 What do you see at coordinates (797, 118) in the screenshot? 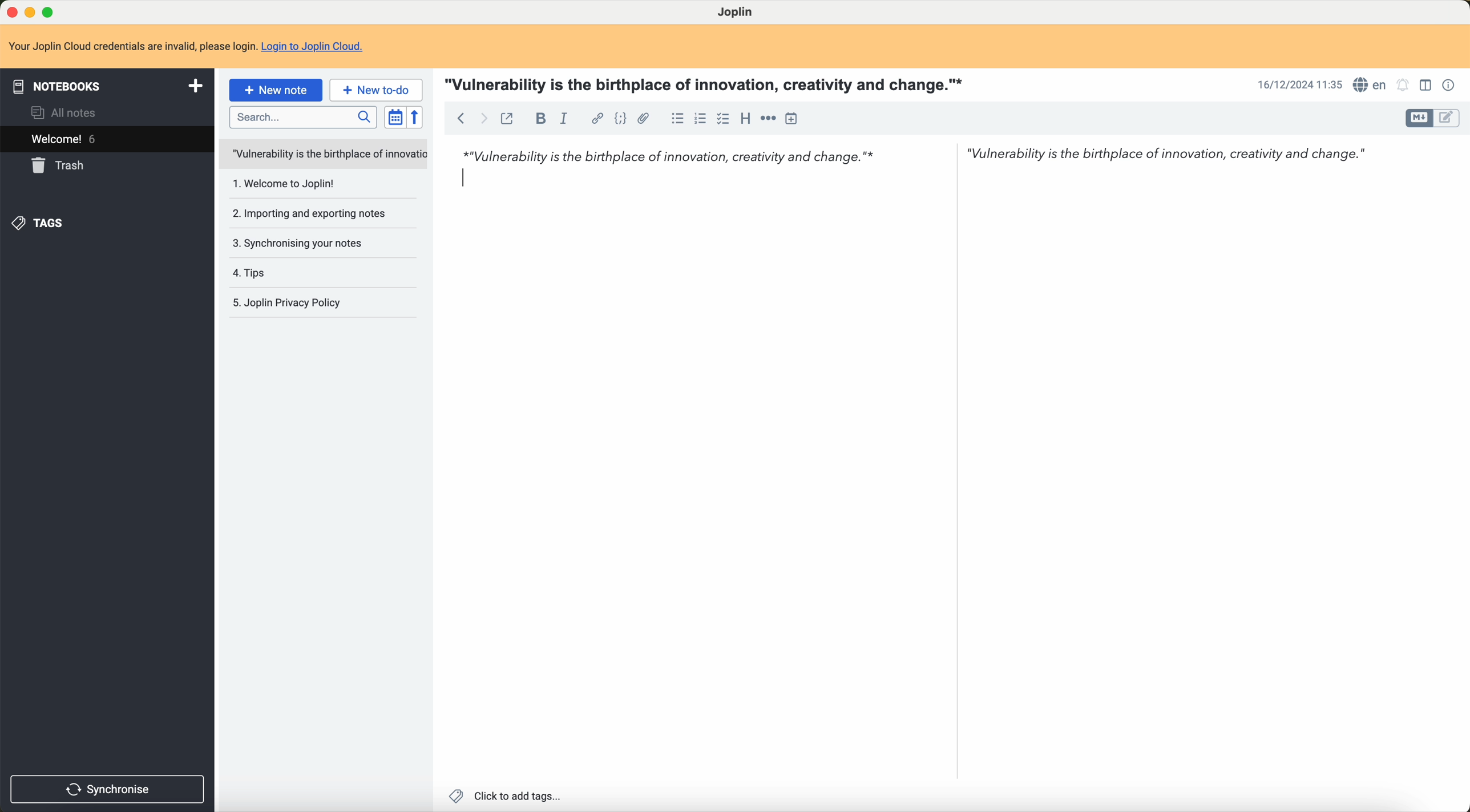
I see `insert time` at bounding box center [797, 118].